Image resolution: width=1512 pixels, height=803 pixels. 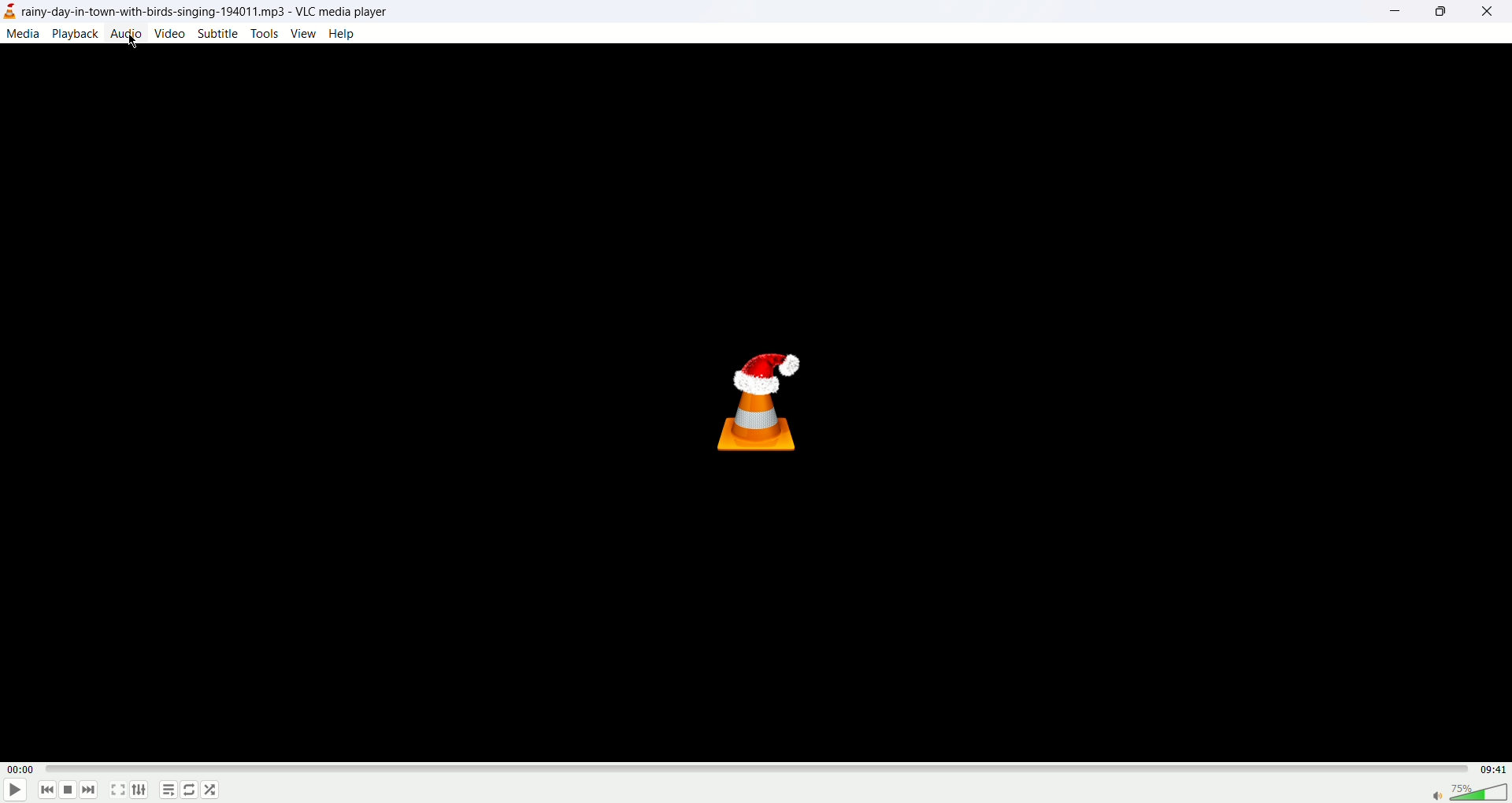 I want to click on mouse cursor, so click(x=136, y=44).